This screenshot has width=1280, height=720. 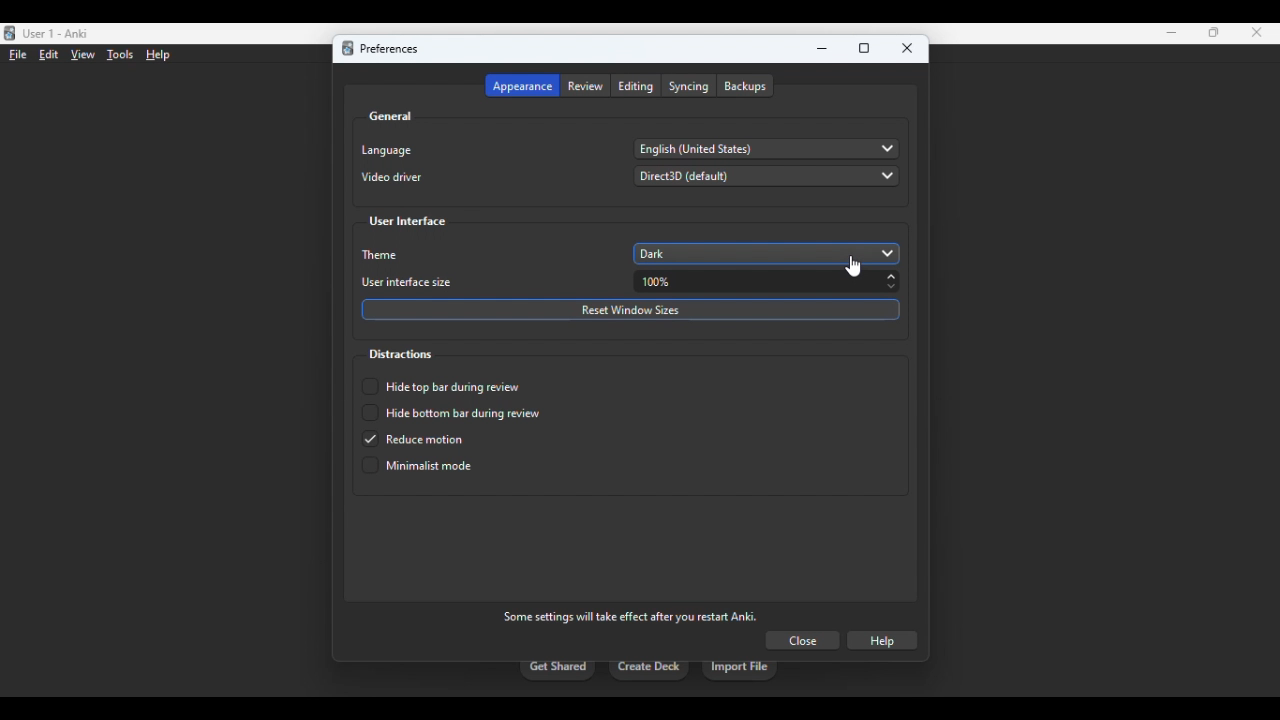 I want to click on video driver, so click(x=392, y=177).